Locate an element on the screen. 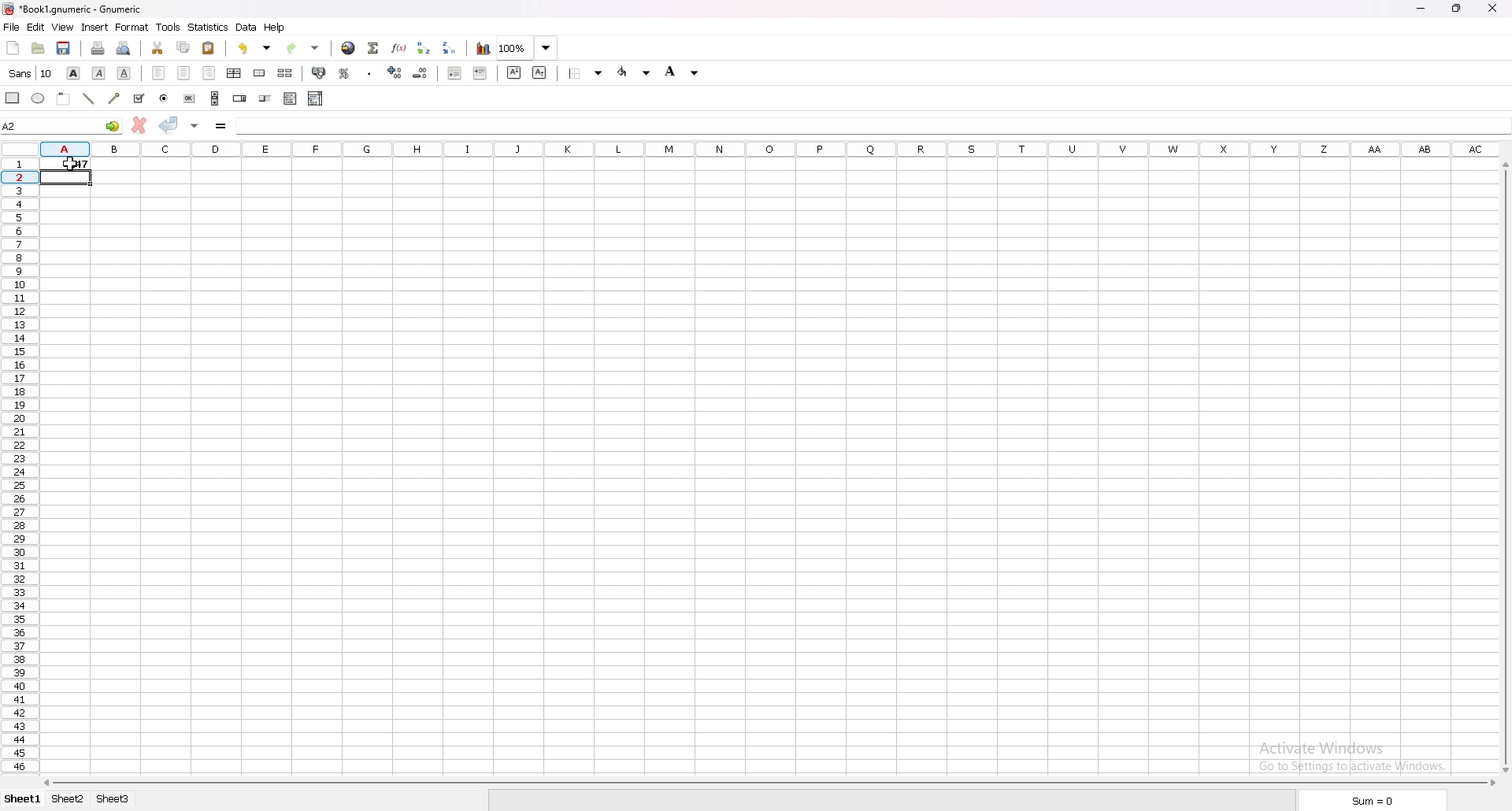 Image resolution: width=1512 pixels, height=811 pixels. paste is located at coordinates (209, 47).